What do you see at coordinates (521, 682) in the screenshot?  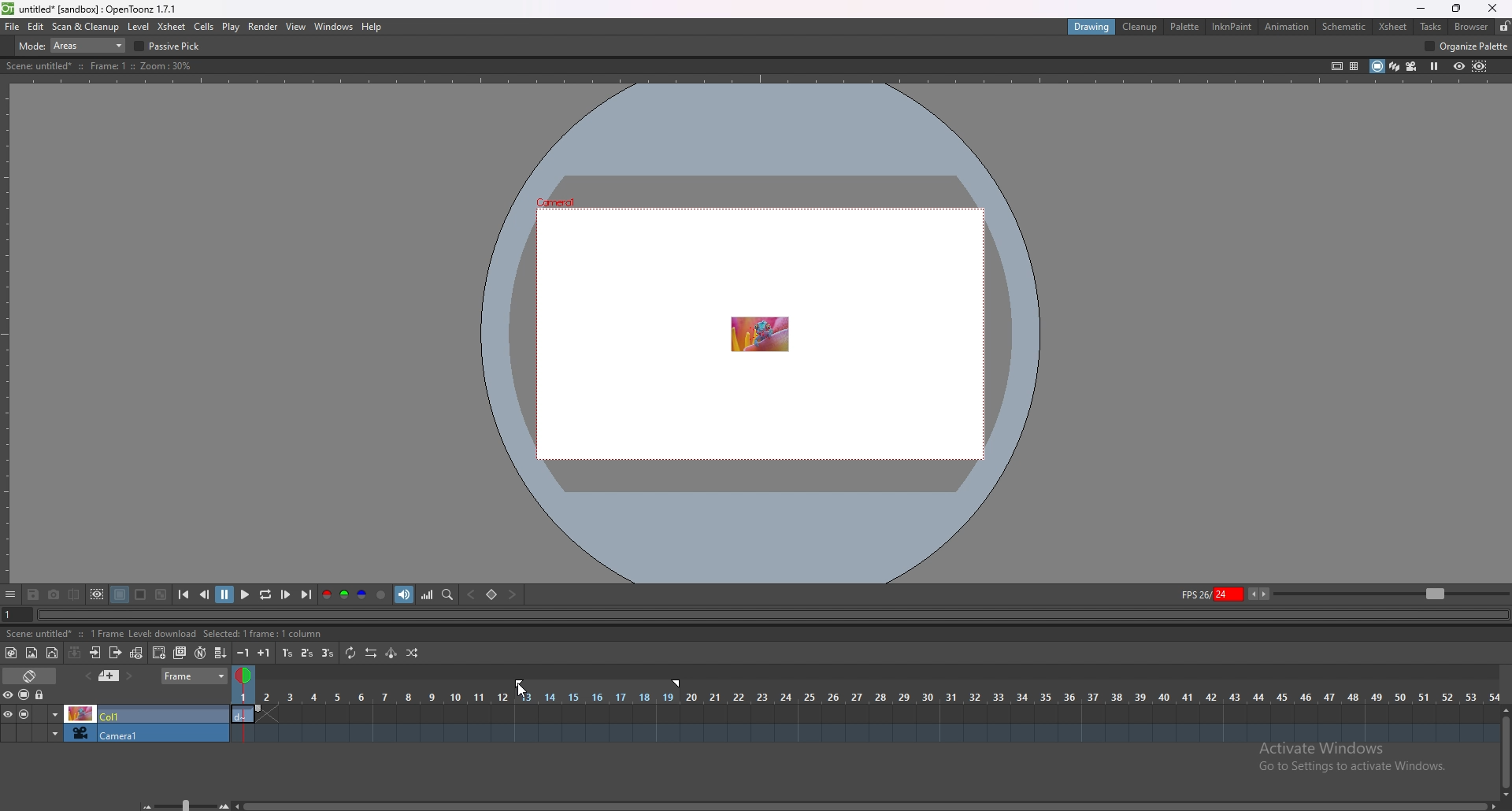 I see `start frame` at bounding box center [521, 682].